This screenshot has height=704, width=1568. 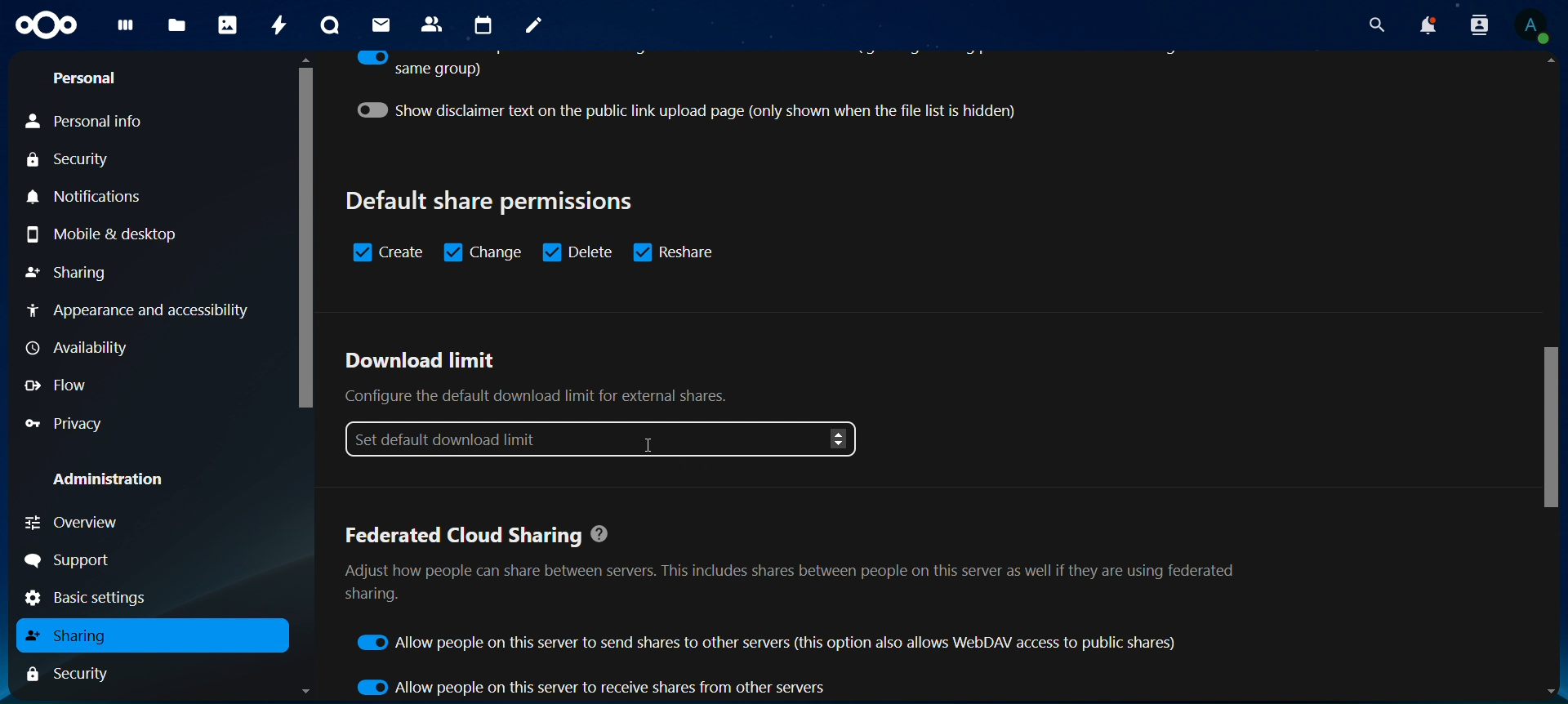 I want to click on activity, so click(x=278, y=26).